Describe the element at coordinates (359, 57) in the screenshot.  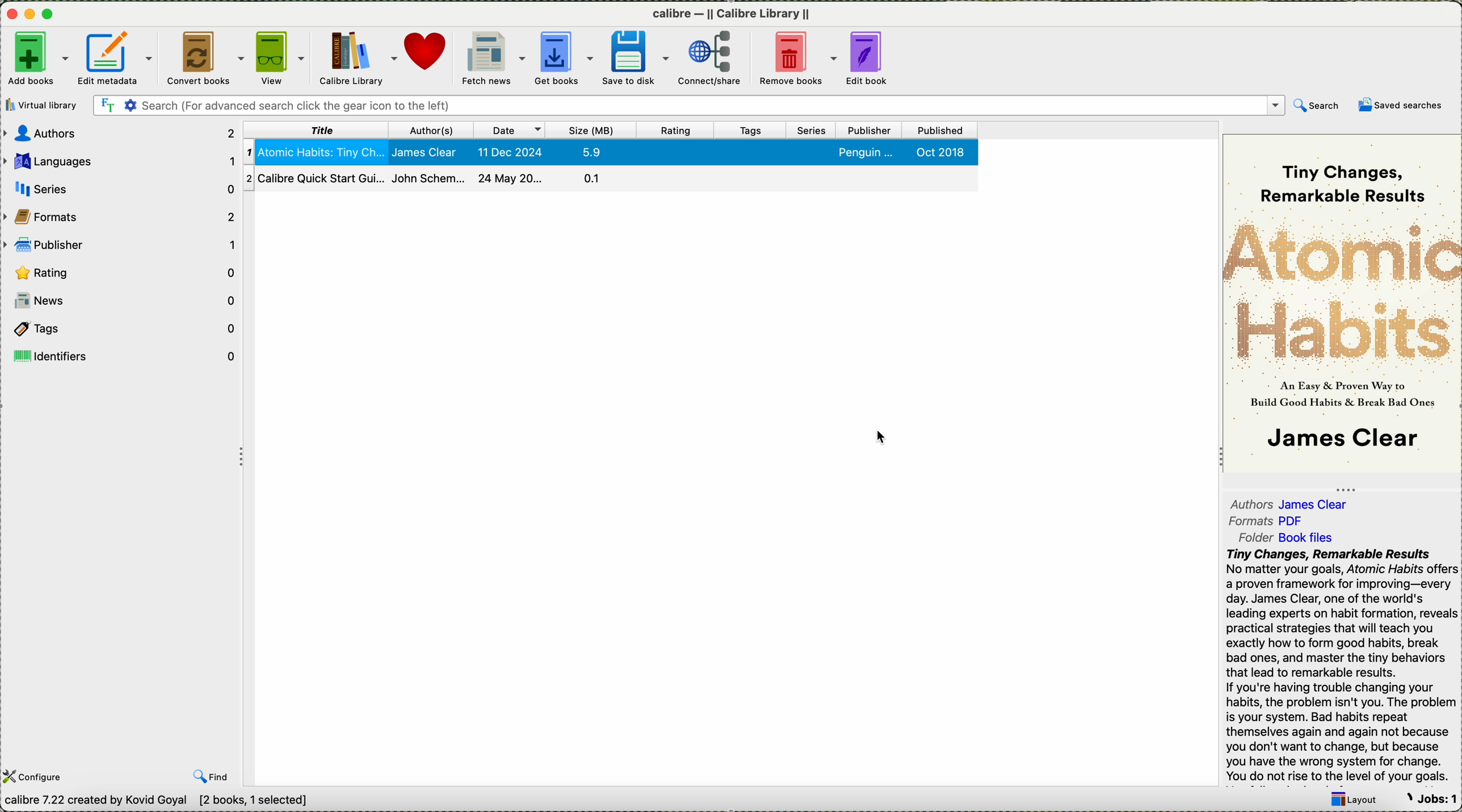
I see `calibre library` at that location.